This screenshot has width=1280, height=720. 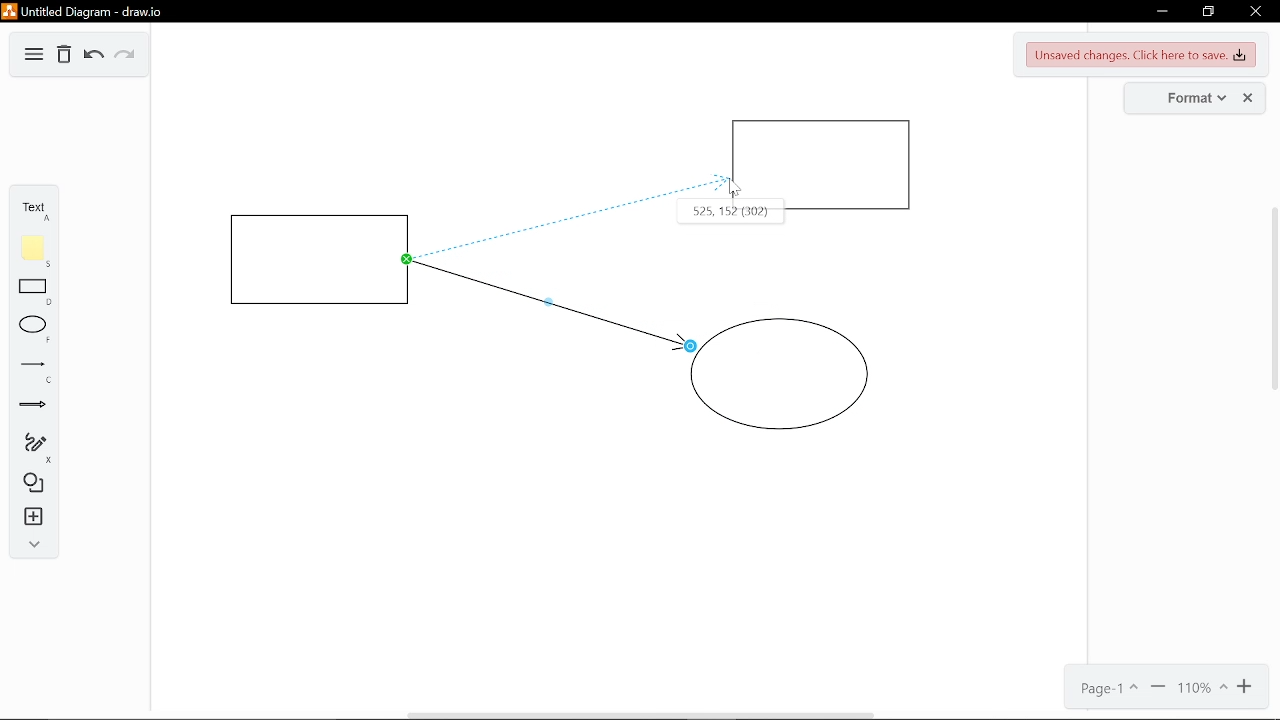 I want to click on expand/collapse, so click(x=31, y=547).